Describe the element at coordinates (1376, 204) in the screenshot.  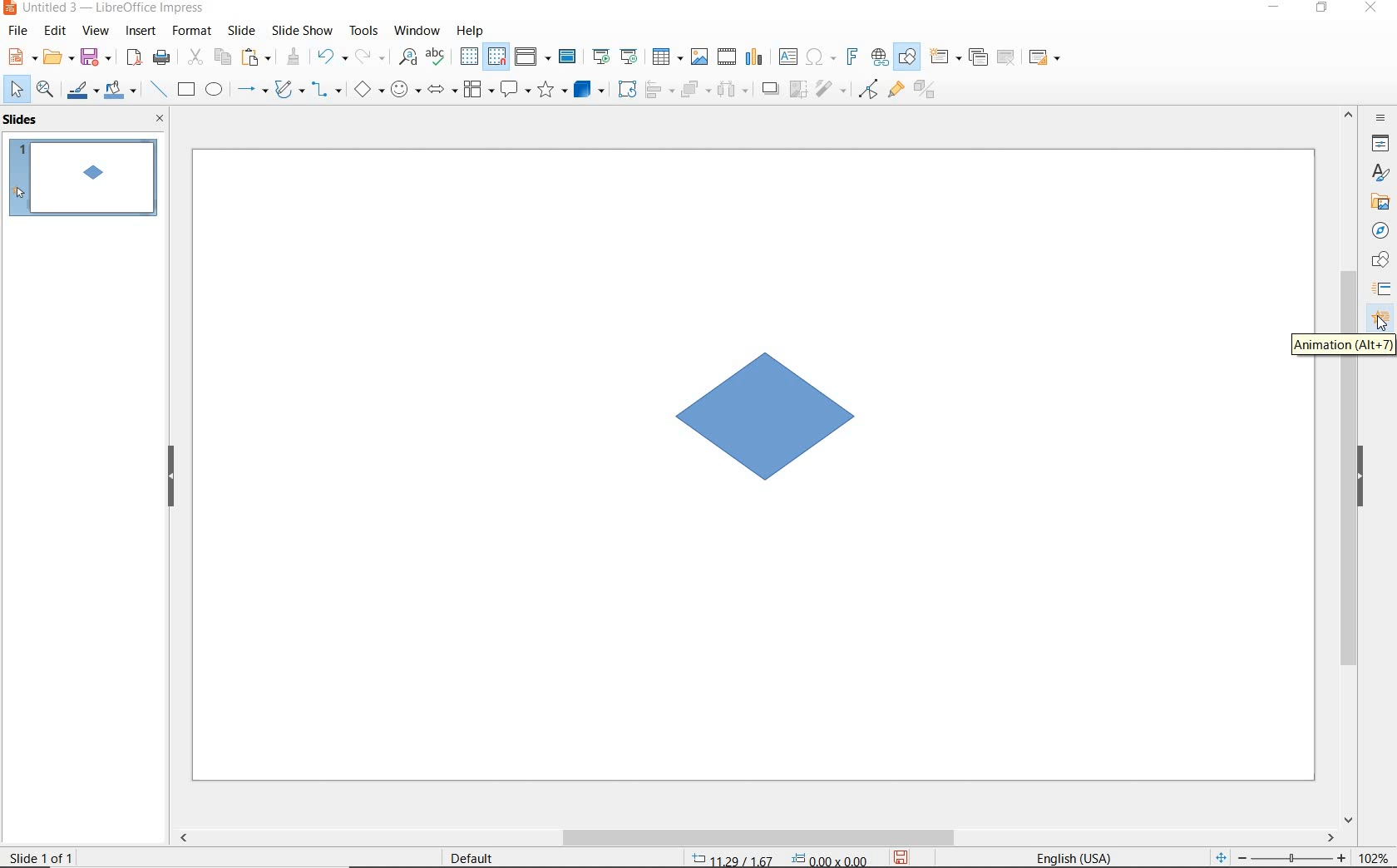
I see `gallery` at that location.